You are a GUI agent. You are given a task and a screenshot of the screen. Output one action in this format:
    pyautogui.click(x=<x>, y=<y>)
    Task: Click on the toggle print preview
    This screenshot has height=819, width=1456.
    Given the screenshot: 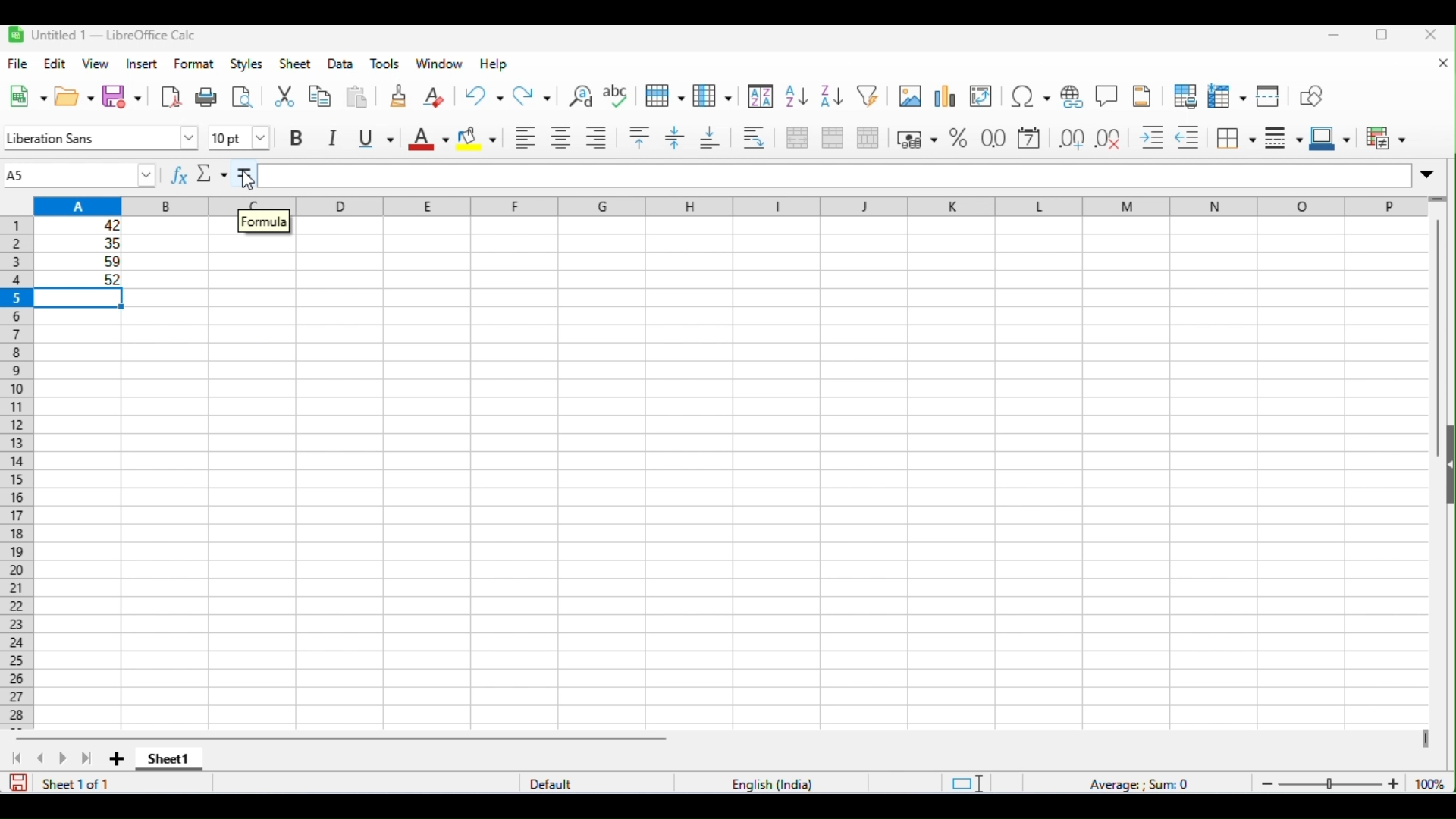 What is the action you would take?
    pyautogui.click(x=1183, y=96)
    